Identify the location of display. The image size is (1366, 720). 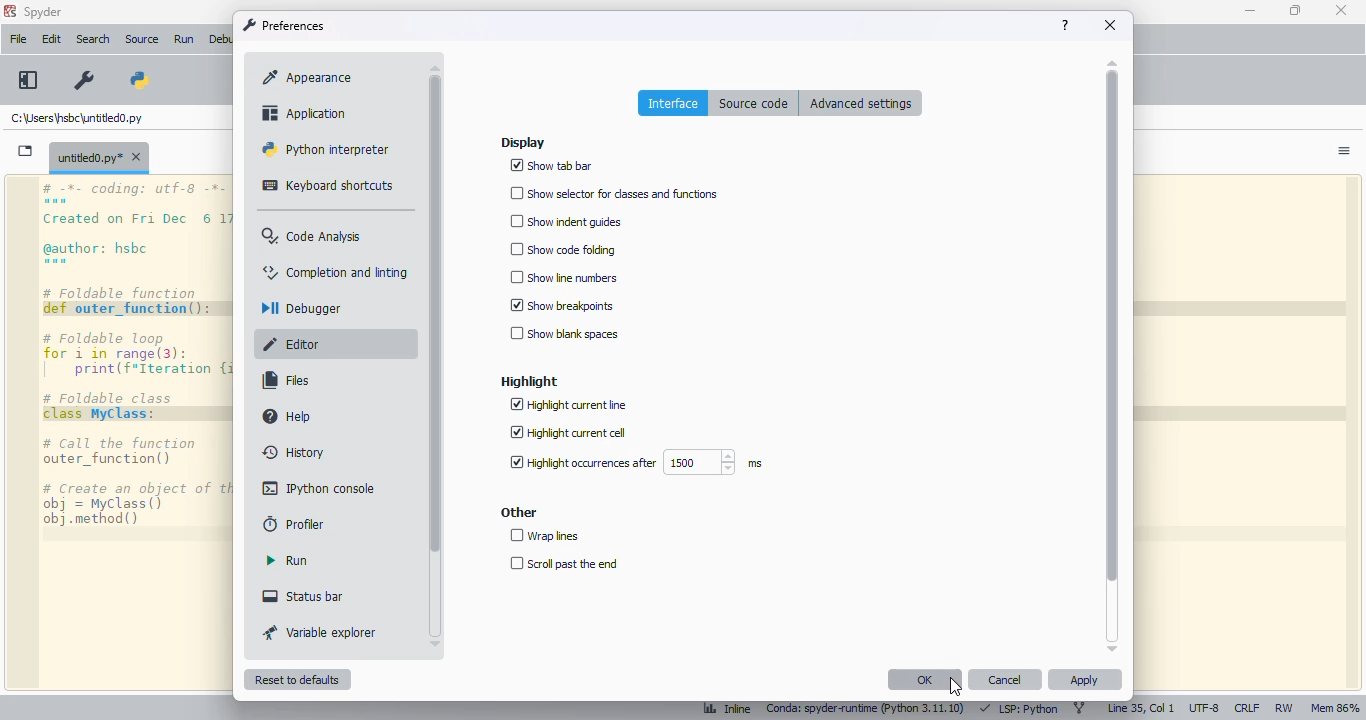
(523, 143).